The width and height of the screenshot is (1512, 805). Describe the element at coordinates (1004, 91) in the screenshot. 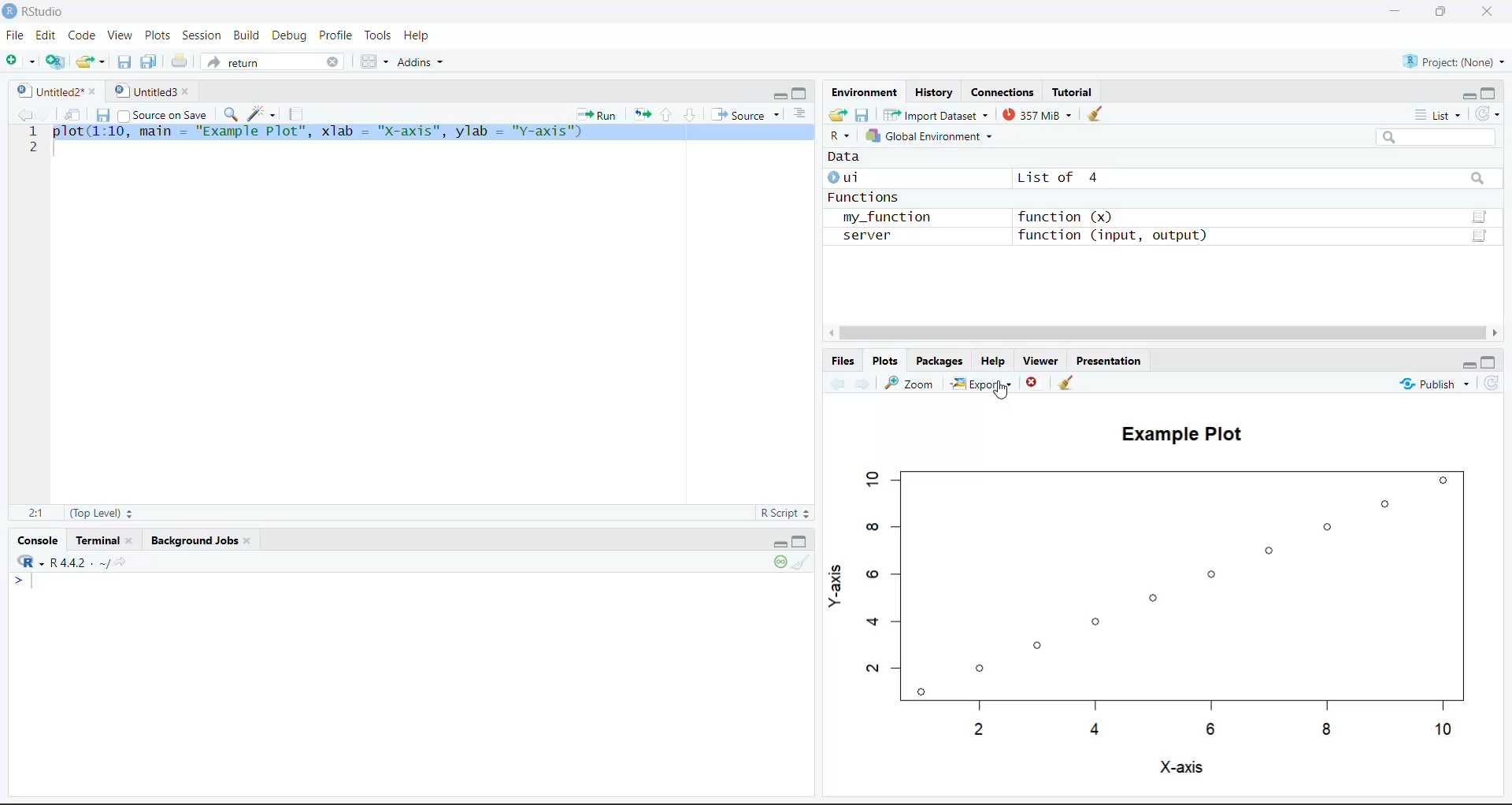

I see `Coordinates` at that location.